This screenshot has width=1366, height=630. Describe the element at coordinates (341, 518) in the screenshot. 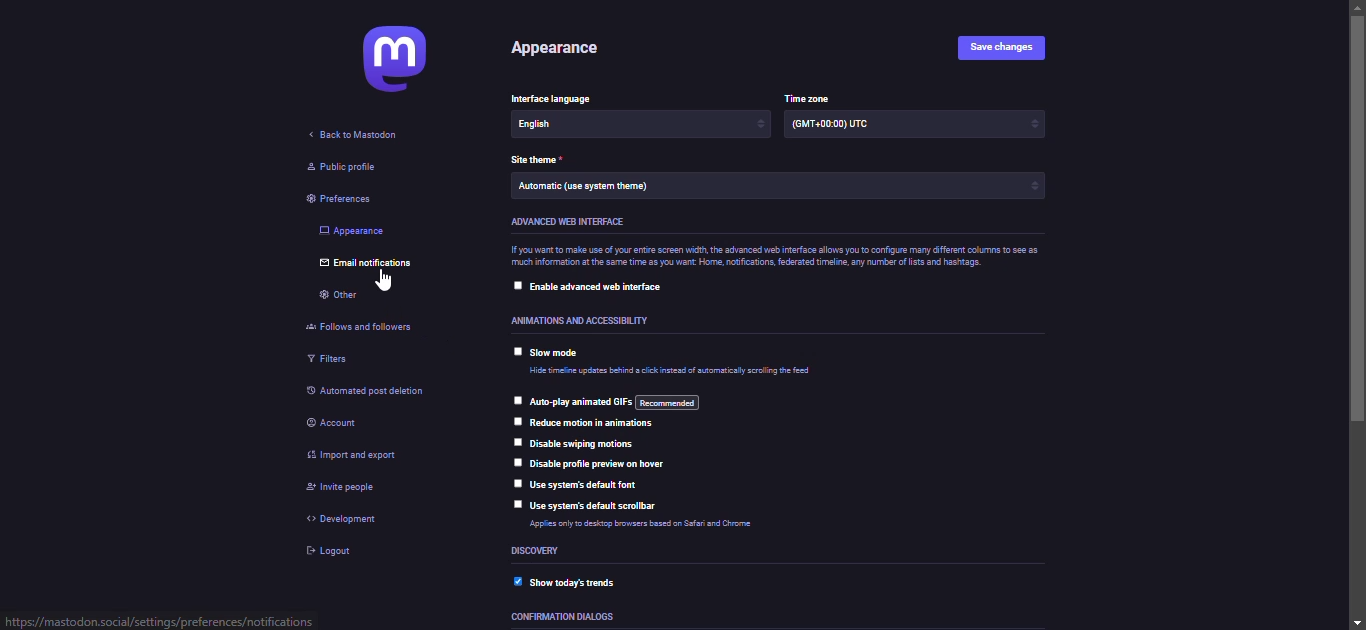

I see `development` at that location.